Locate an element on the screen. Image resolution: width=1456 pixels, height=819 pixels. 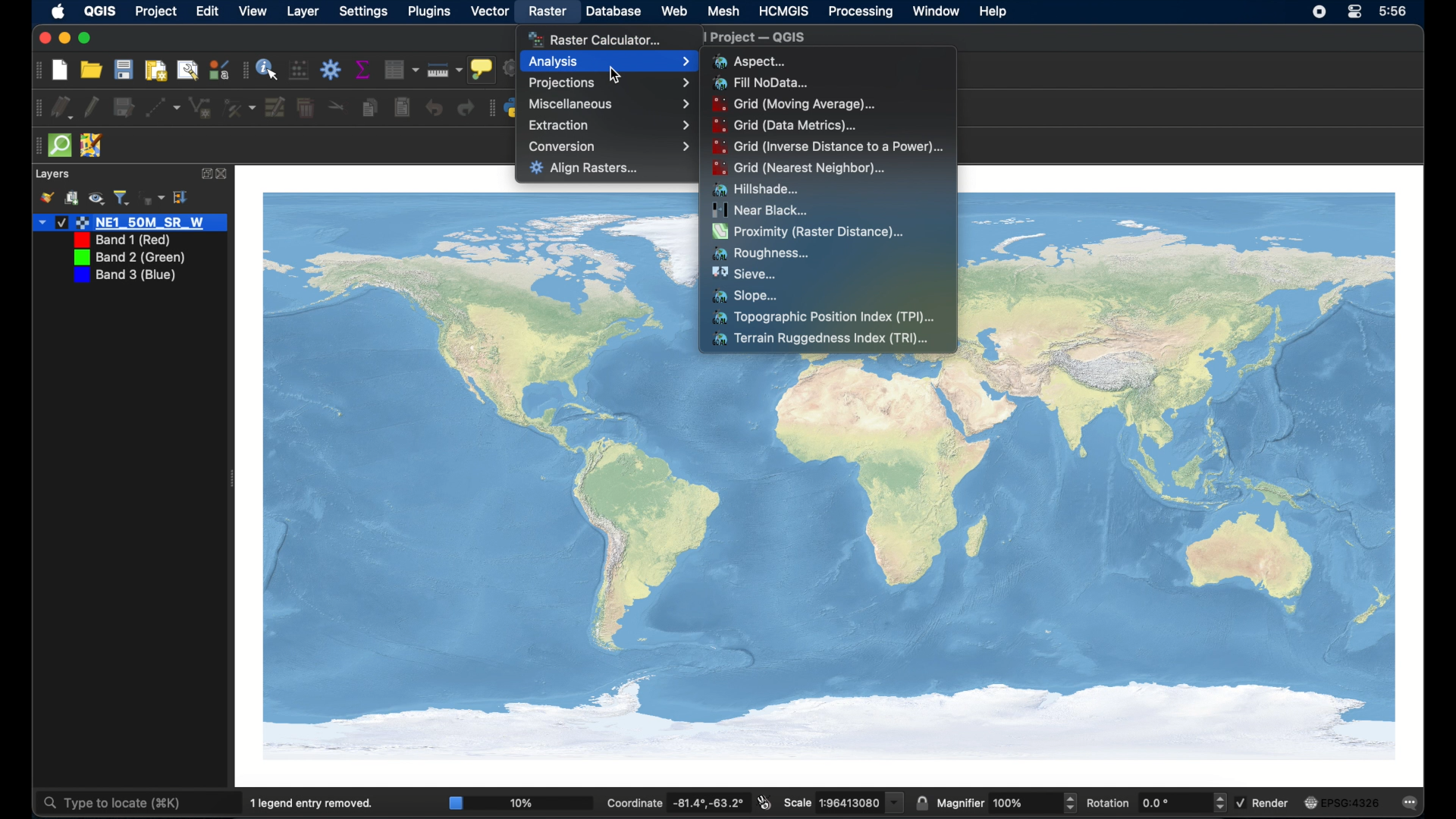
10% is located at coordinates (519, 802).